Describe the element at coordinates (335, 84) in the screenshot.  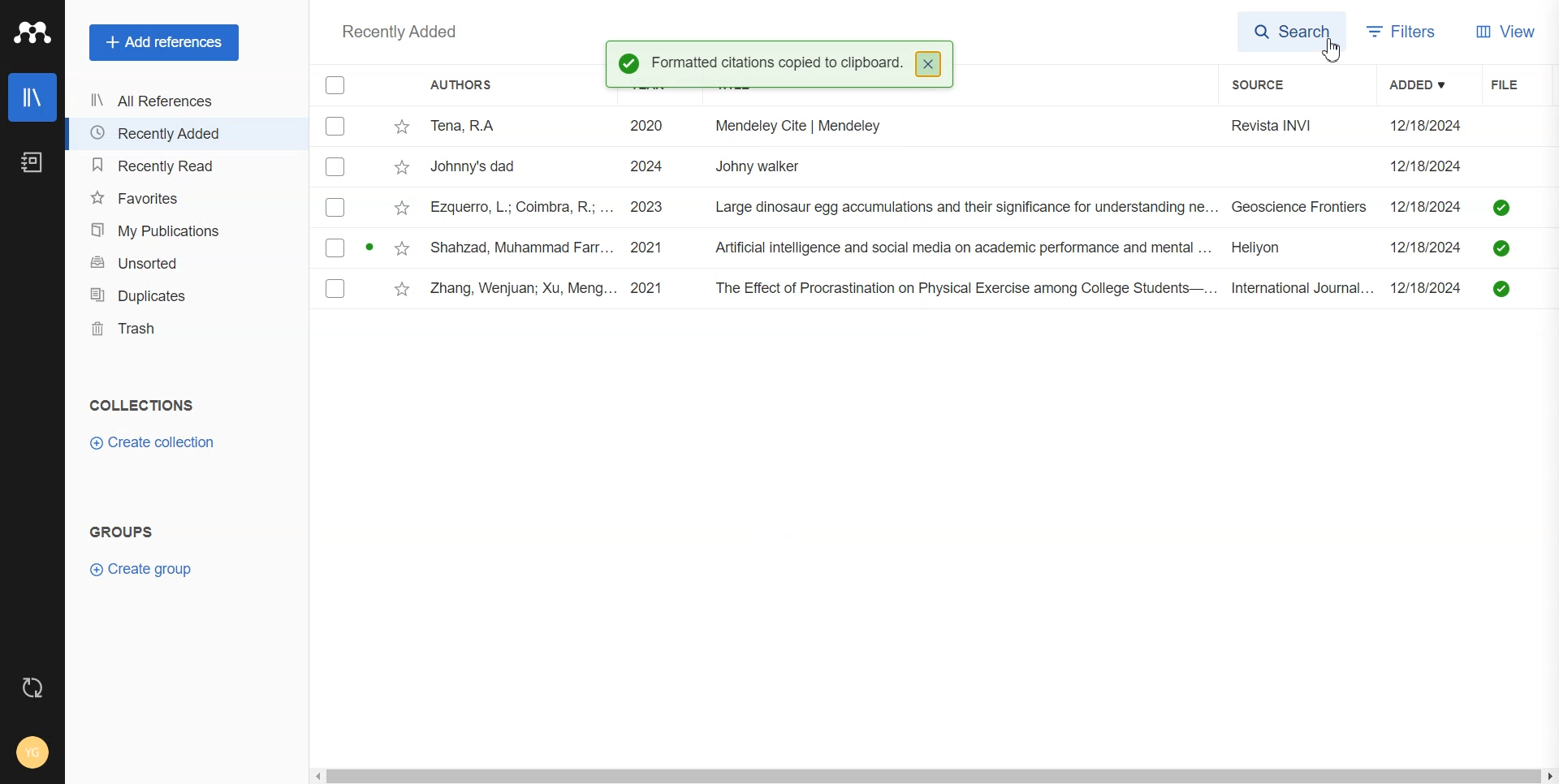
I see `Checkbox` at that location.